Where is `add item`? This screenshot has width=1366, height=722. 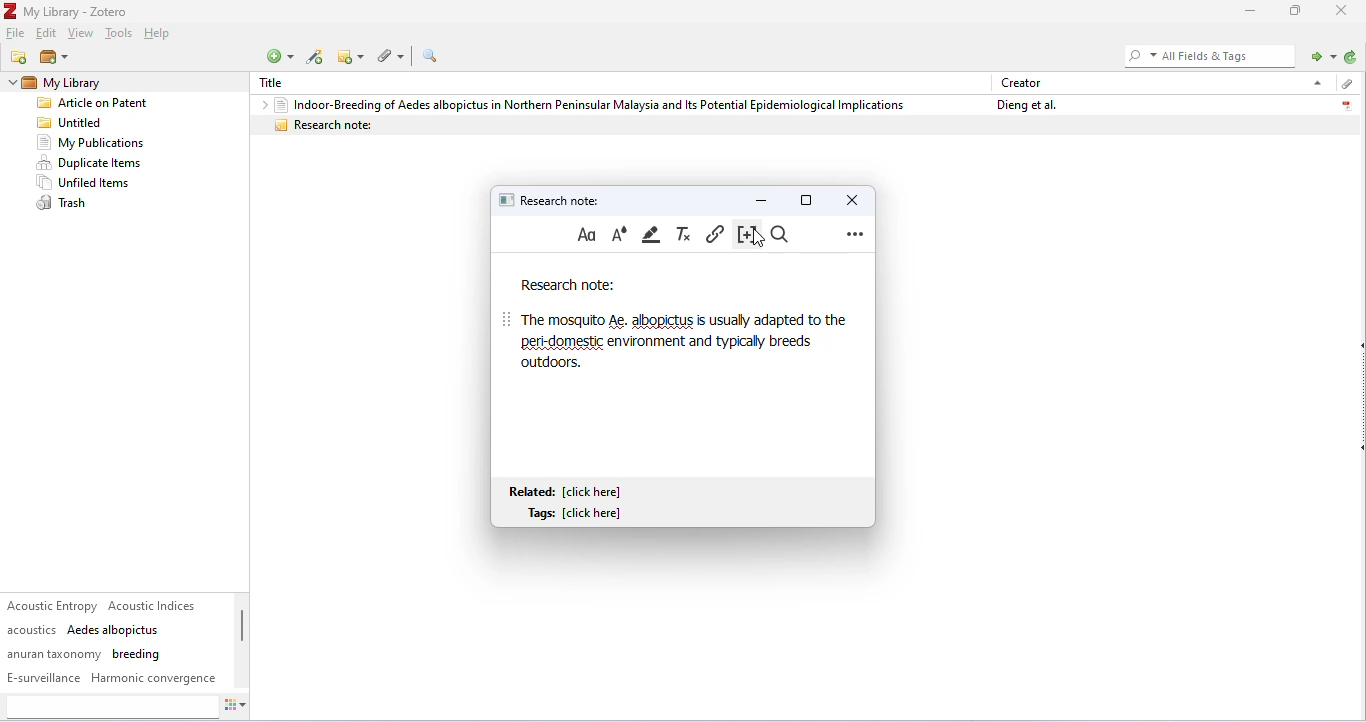
add item is located at coordinates (316, 57).